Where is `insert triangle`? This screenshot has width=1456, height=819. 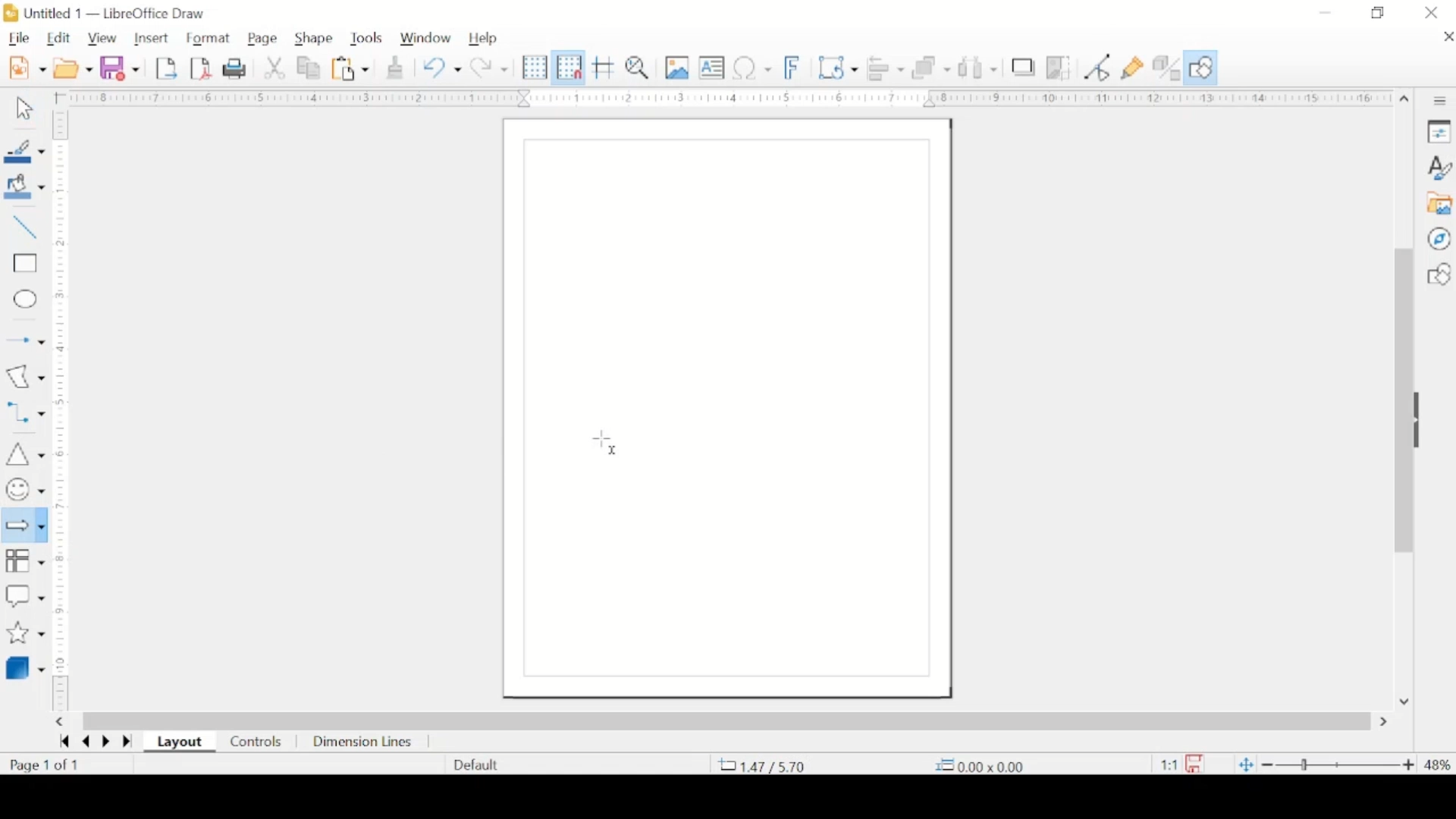
insert triangle is located at coordinates (24, 453).